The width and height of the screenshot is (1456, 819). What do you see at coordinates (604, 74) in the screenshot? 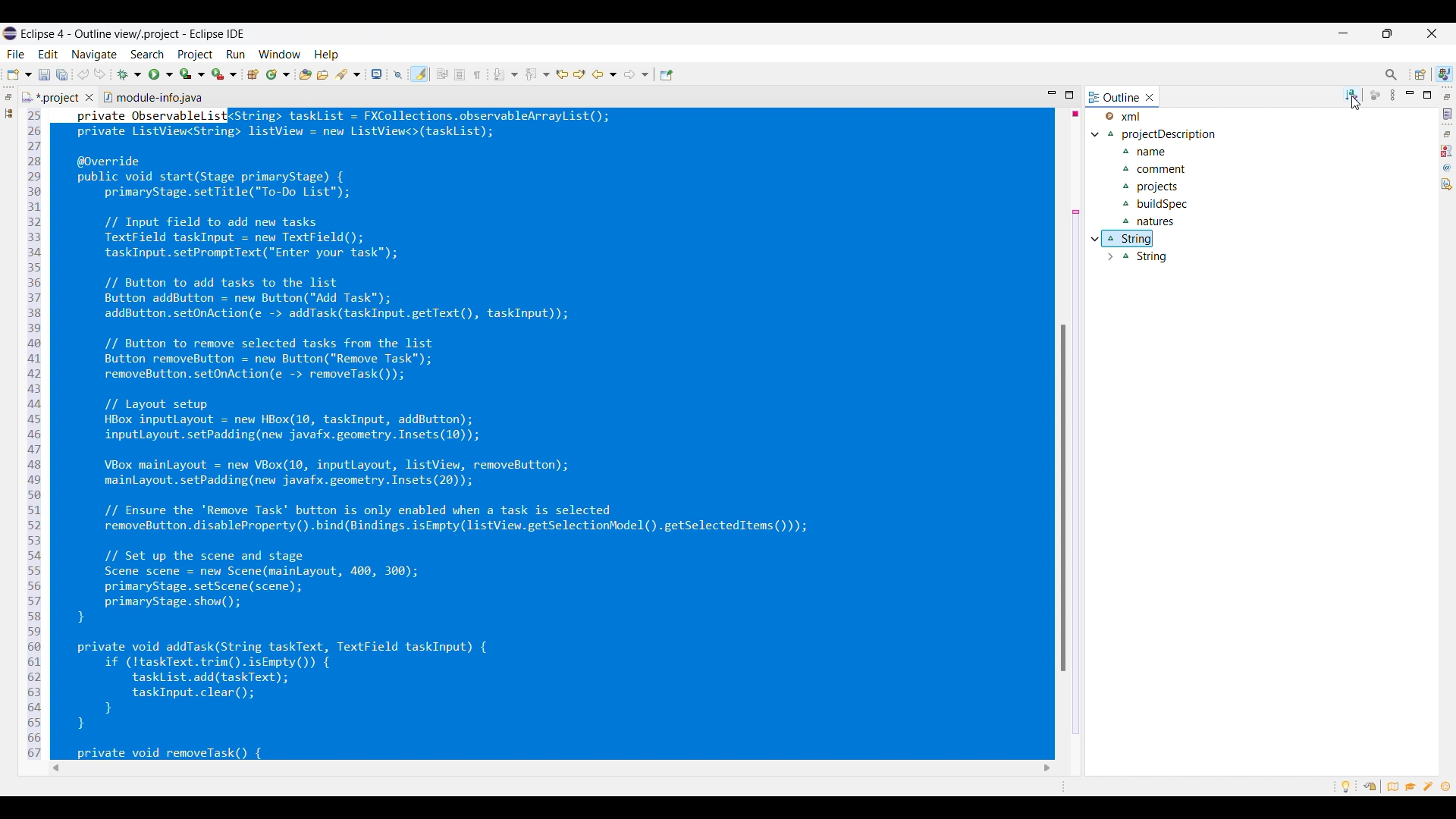
I see `Back to project options` at bounding box center [604, 74].